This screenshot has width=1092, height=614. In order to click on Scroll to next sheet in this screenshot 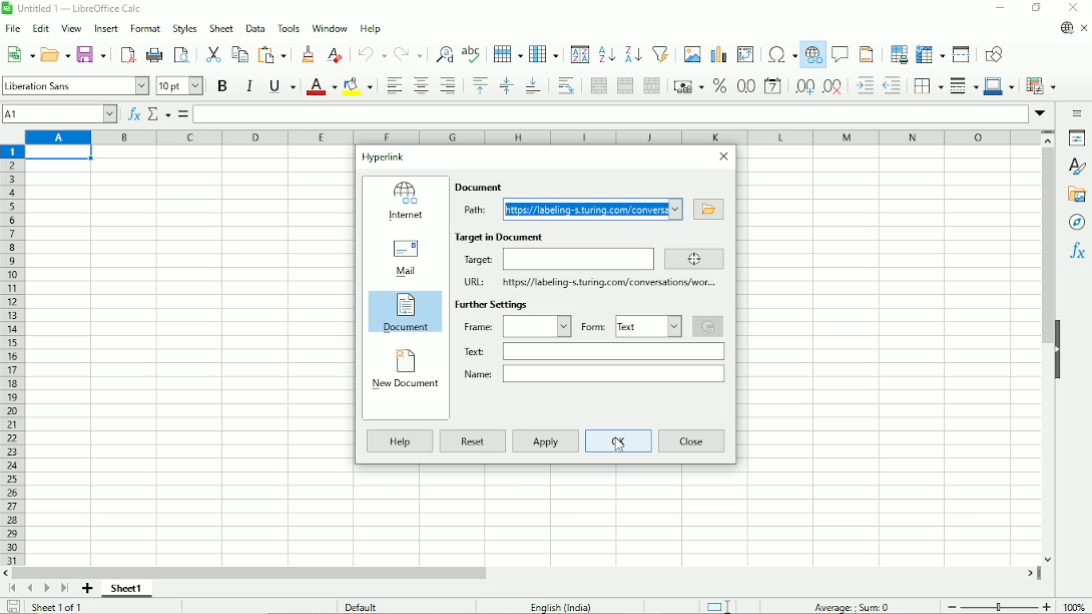, I will do `click(46, 590)`.